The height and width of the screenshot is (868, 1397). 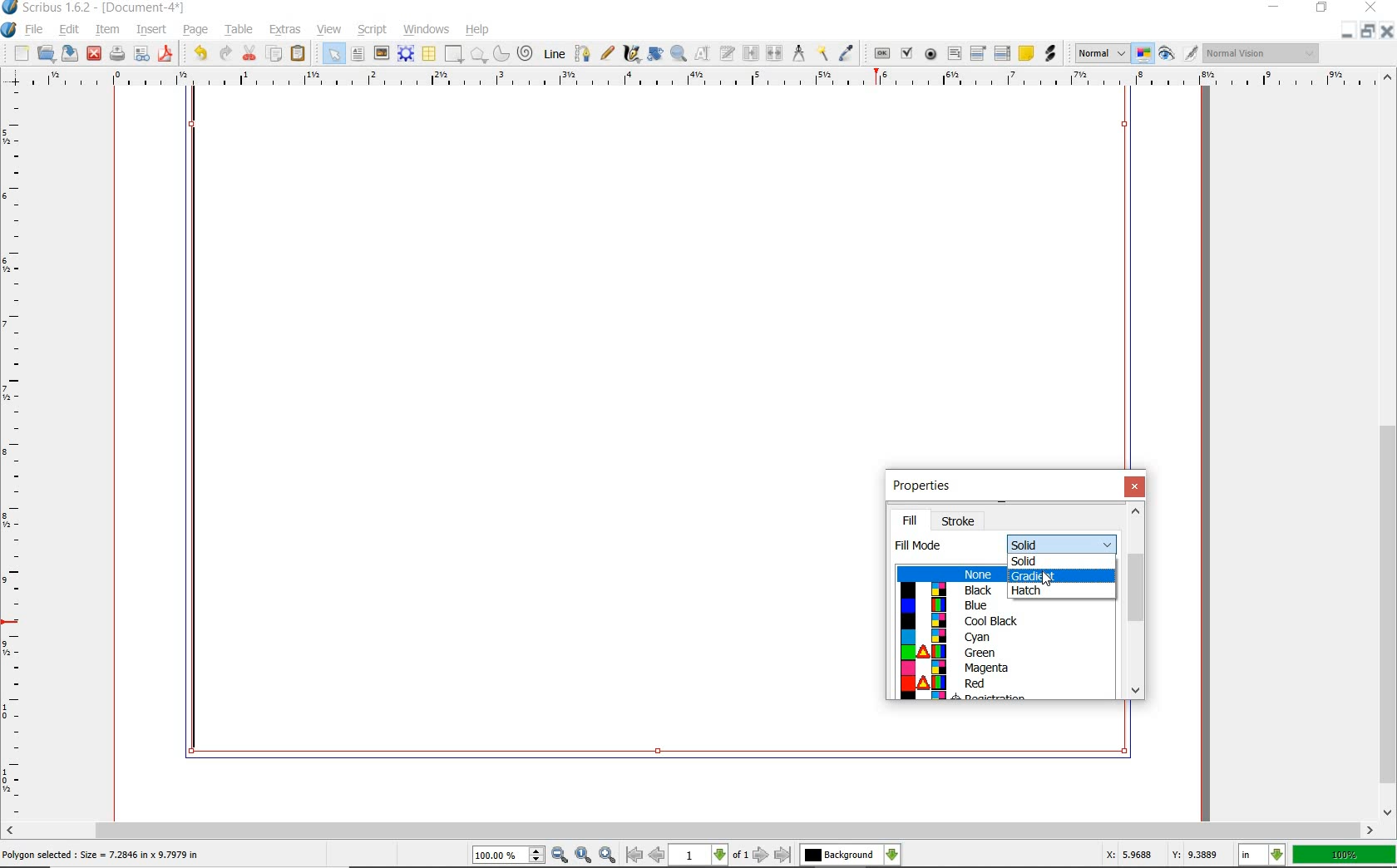 What do you see at coordinates (608, 855) in the screenshot?
I see `zoom in` at bounding box center [608, 855].